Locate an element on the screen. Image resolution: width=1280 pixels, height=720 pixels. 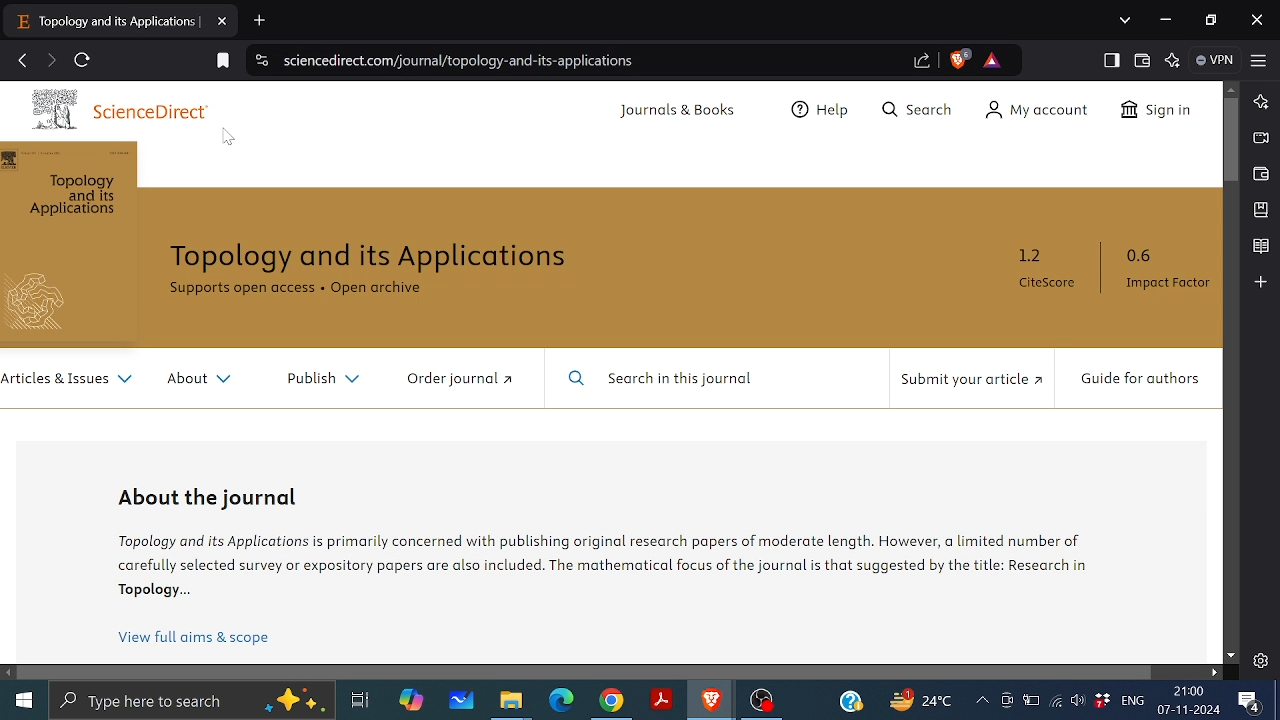
Horizontal scrollbar is located at coordinates (585, 672).